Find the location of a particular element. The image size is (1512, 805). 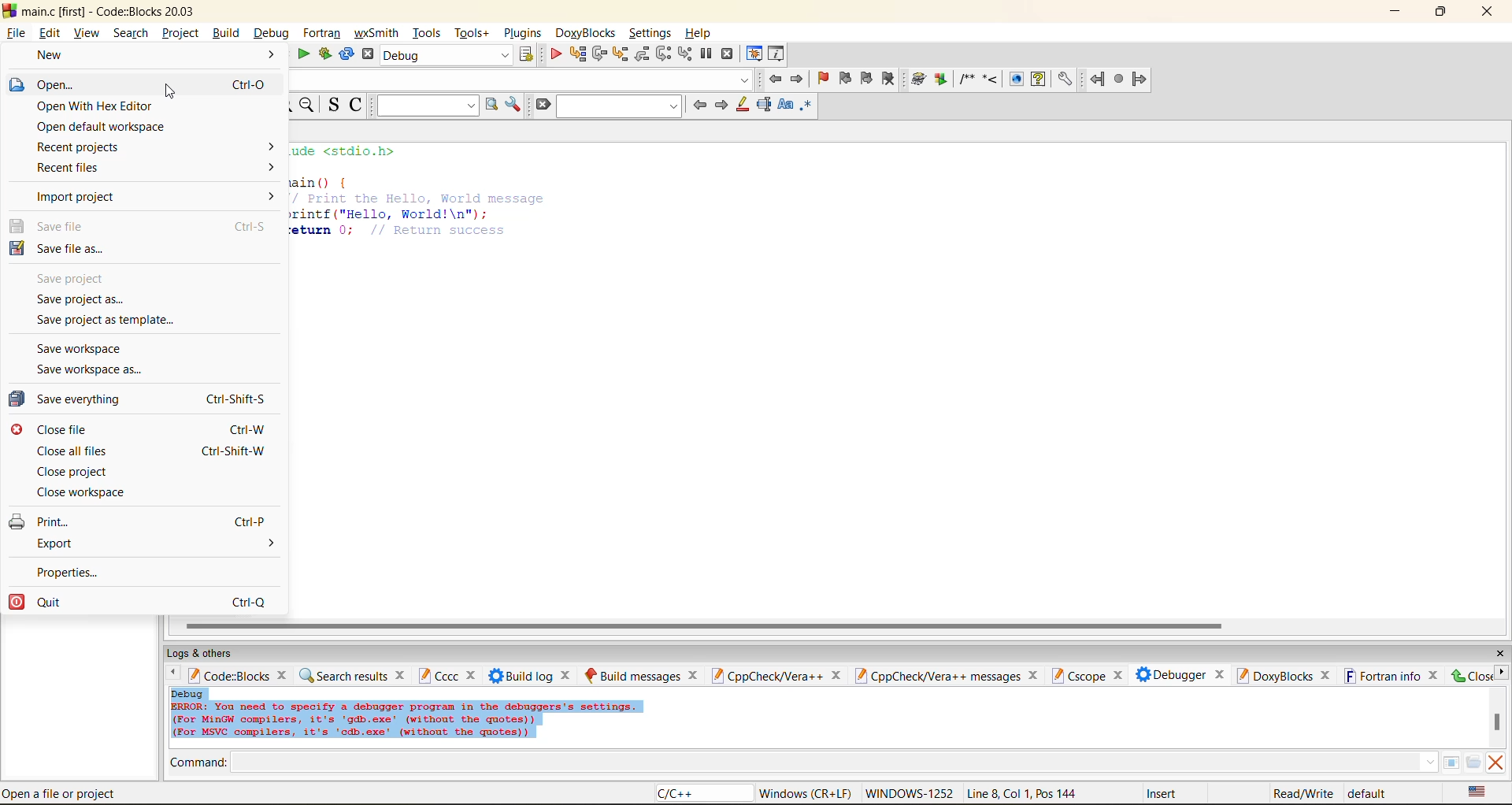

return 0 is located at coordinates (403, 230).